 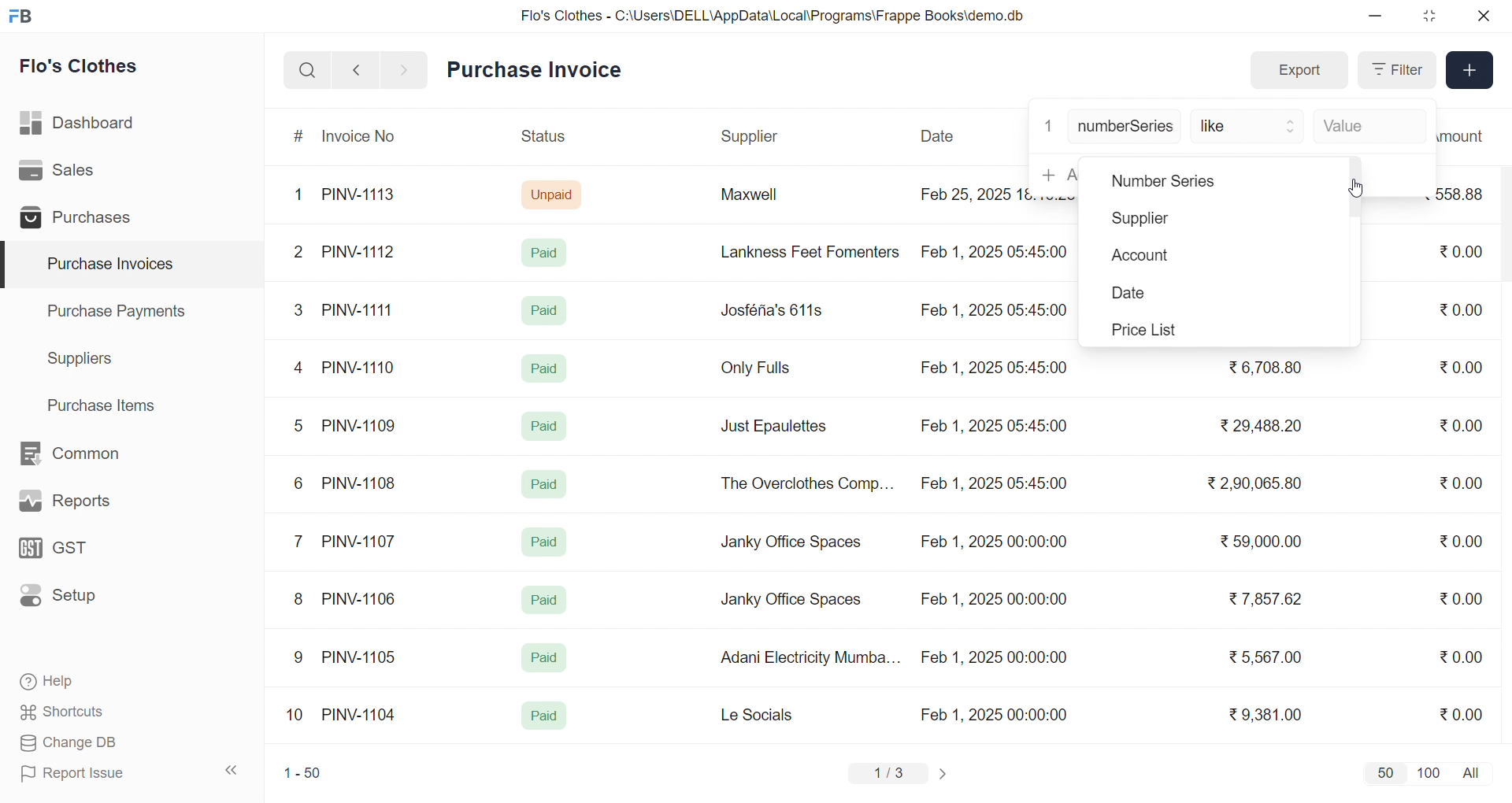 What do you see at coordinates (1125, 128) in the screenshot?
I see `numberSeries` at bounding box center [1125, 128].